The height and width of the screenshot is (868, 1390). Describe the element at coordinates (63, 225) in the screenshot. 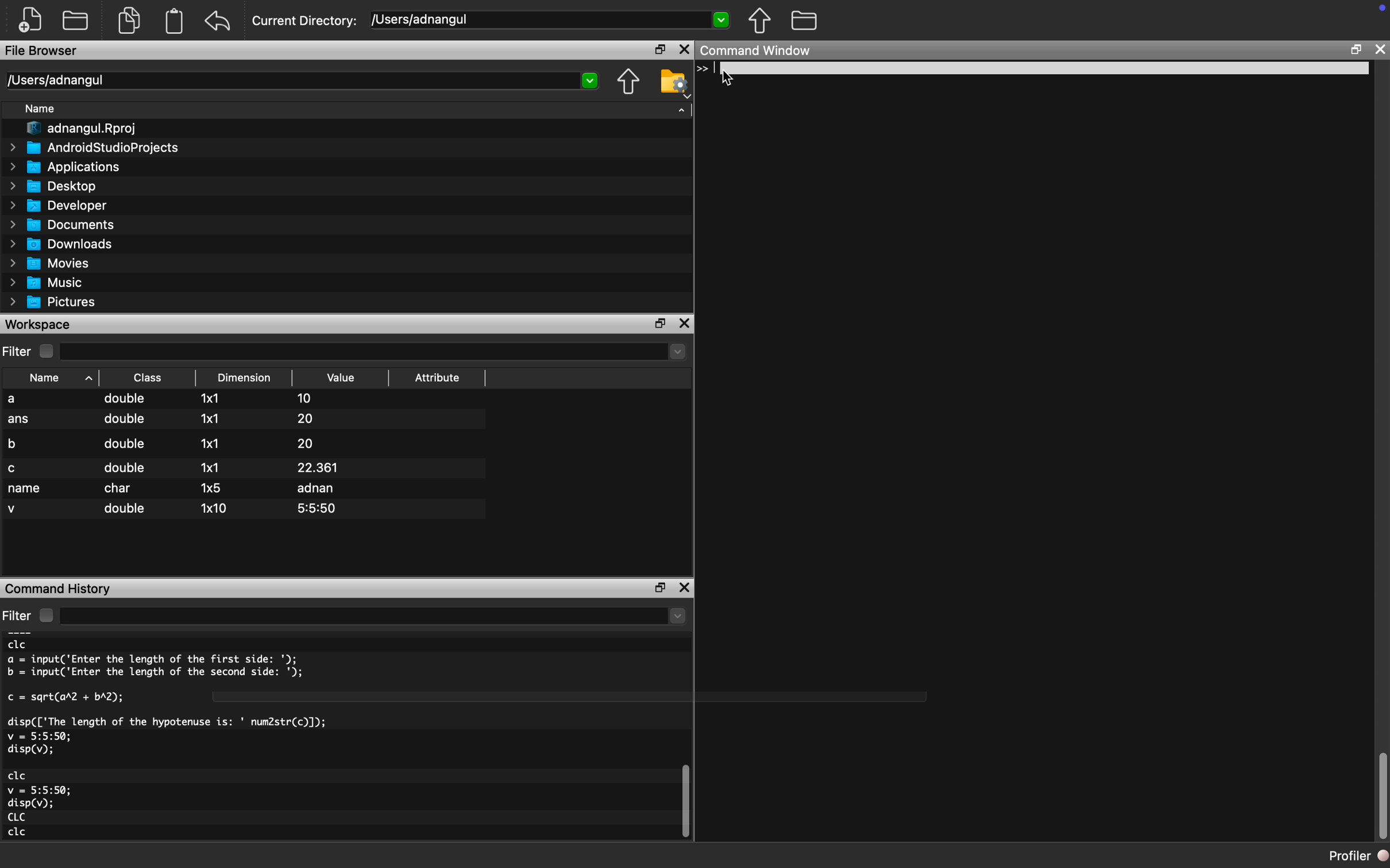

I see `> Documents` at that location.